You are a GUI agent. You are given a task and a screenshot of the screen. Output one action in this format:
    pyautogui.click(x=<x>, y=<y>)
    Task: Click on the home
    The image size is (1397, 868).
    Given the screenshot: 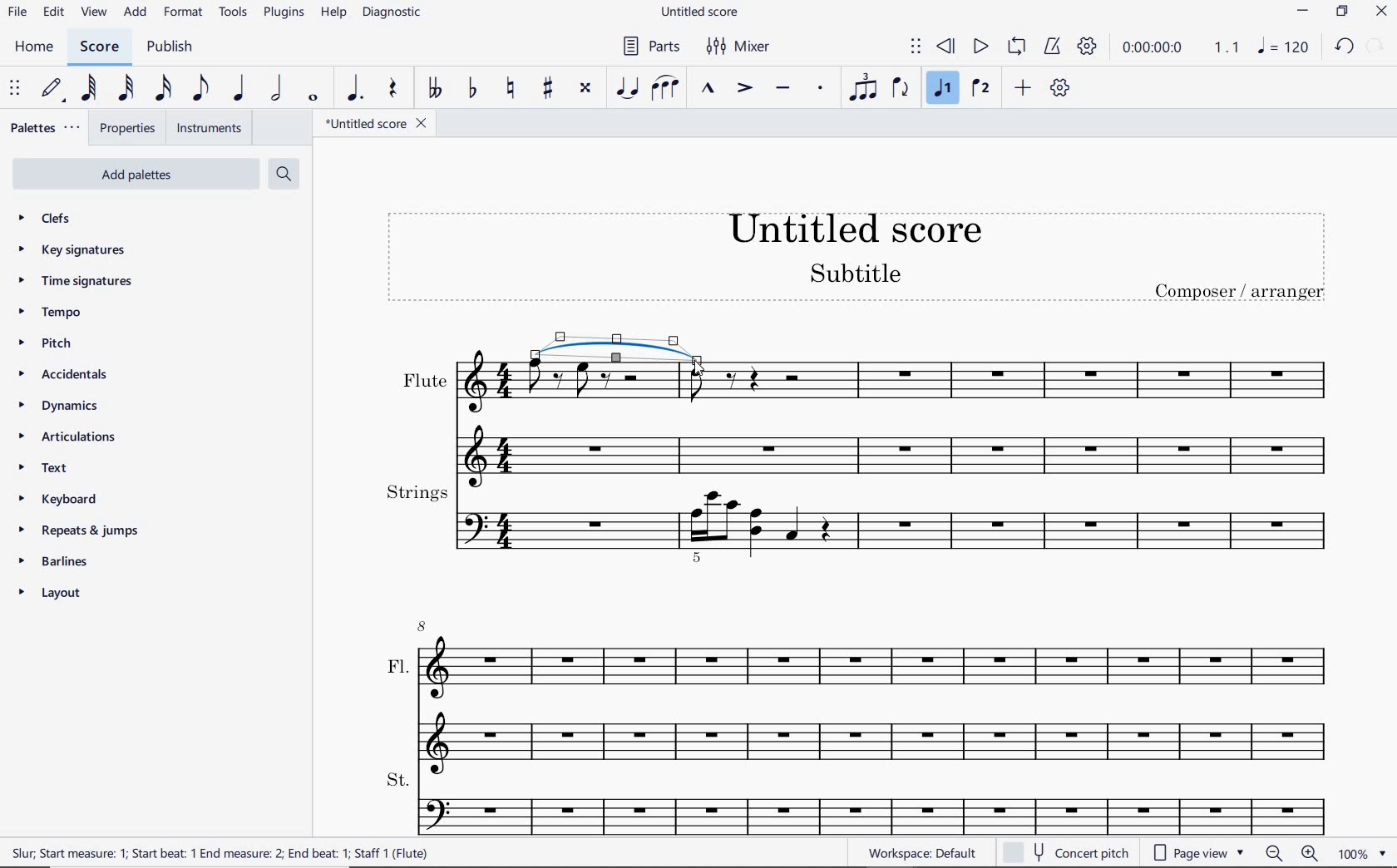 What is the action you would take?
    pyautogui.click(x=36, y=47)
    